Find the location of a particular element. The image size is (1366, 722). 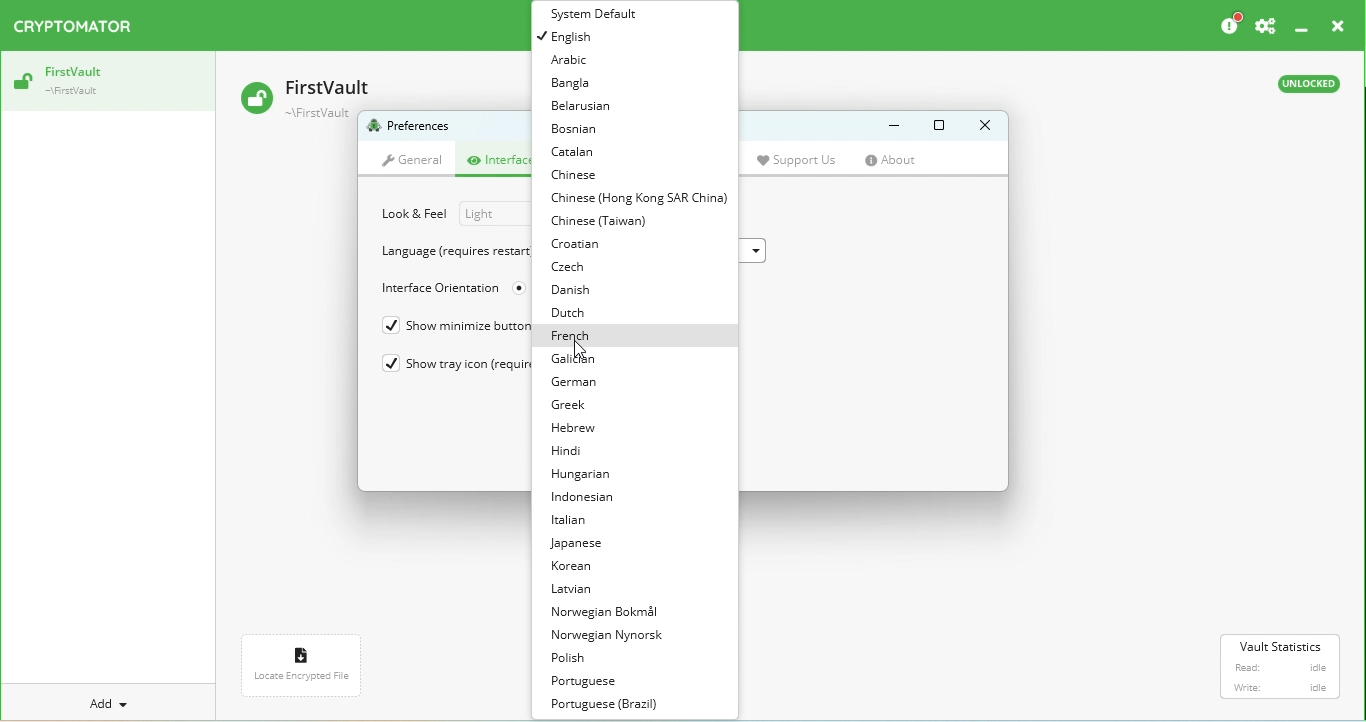

Chinese is located at coordinates (582, 176).